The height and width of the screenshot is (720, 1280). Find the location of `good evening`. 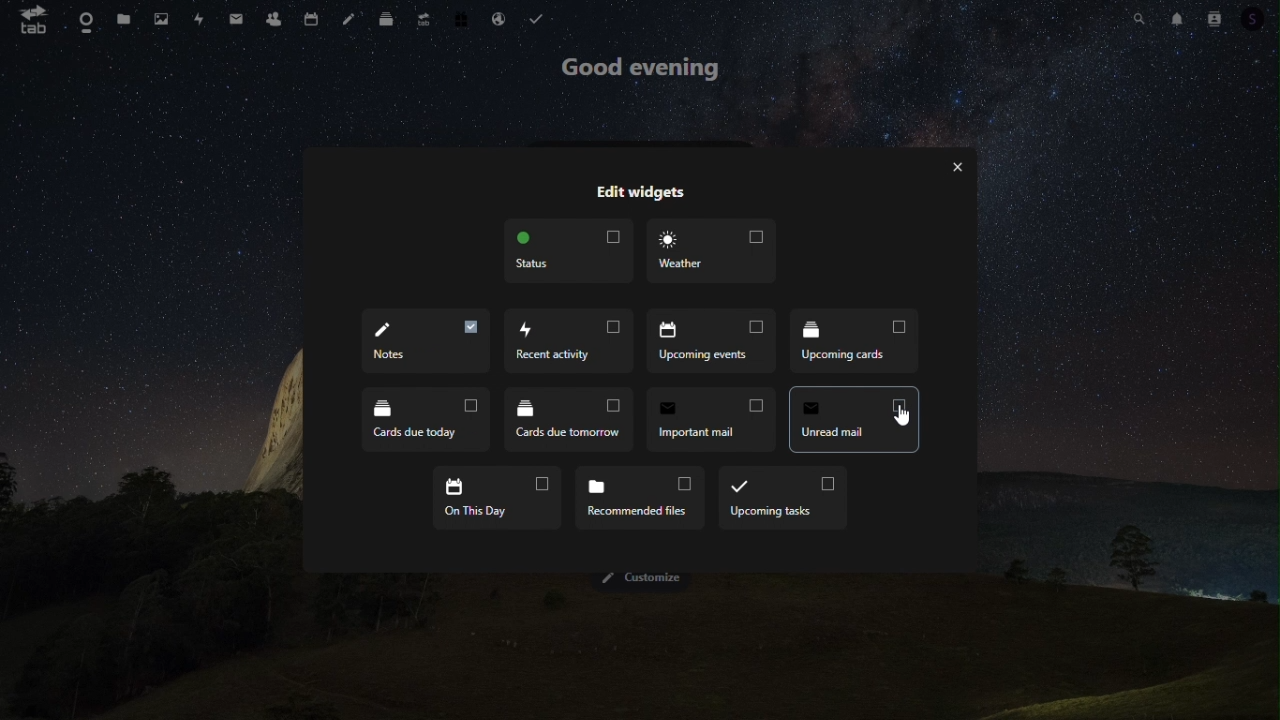

good evening is located at coordinates (645, 72).